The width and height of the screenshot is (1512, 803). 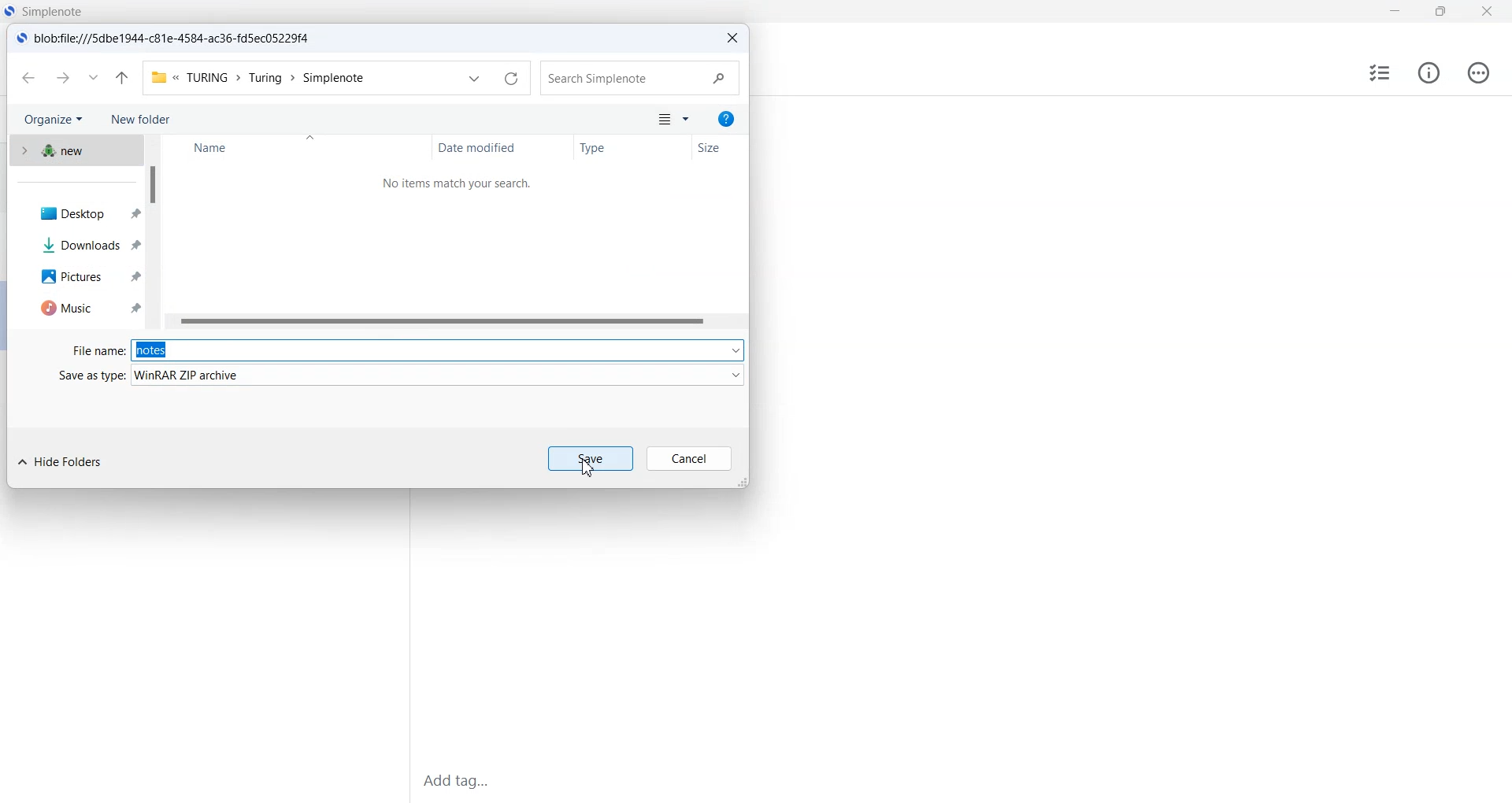 What do you see at coordinates (725, 120) in the screenshot?
I see `Get Help` at bounding box center [725, 120].